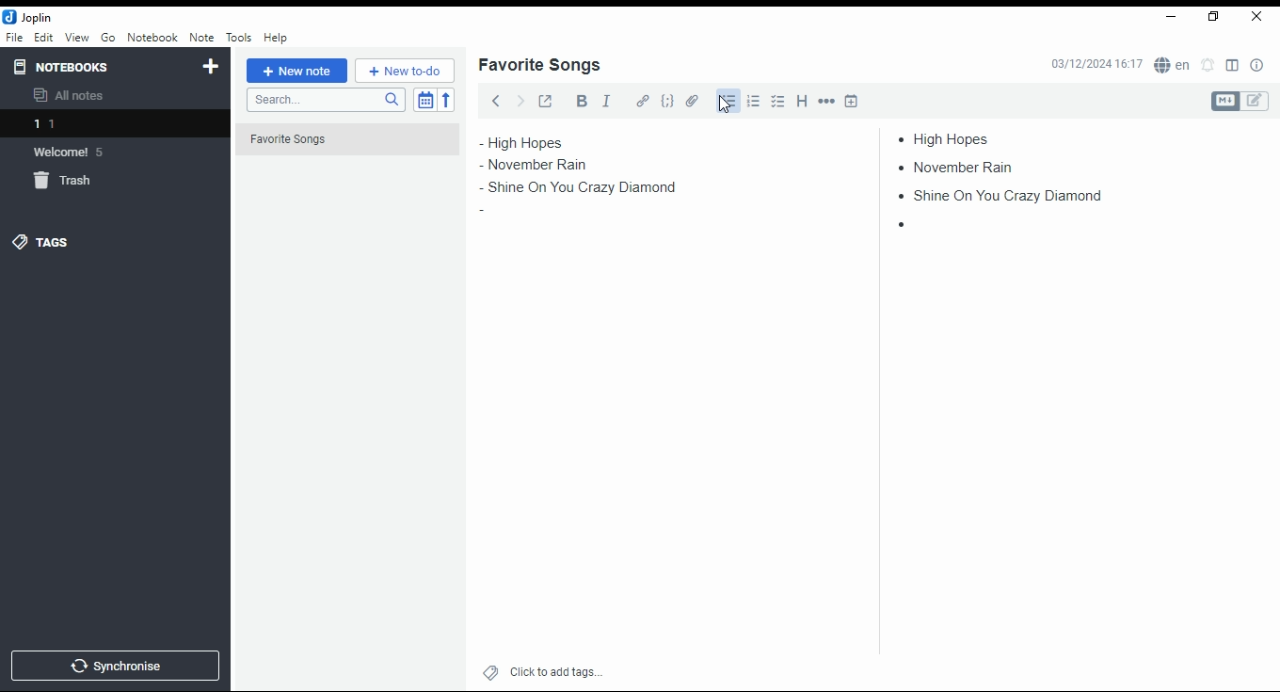 This screenshot has width=1280, height=692. I want to click on code, so click(667, 101).